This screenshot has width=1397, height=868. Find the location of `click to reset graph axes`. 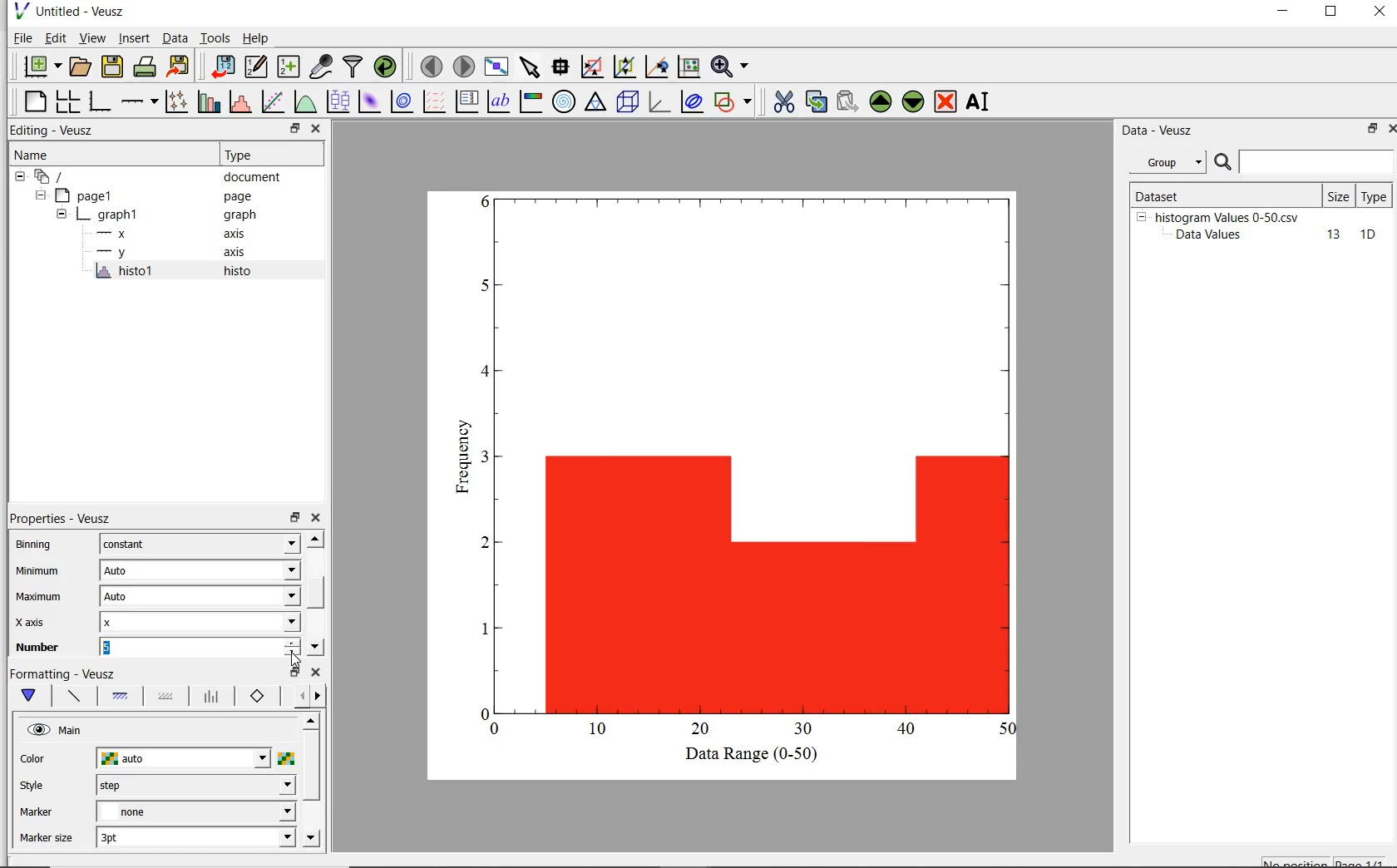

click to reset graph axes is located at coordinates (591, 67).